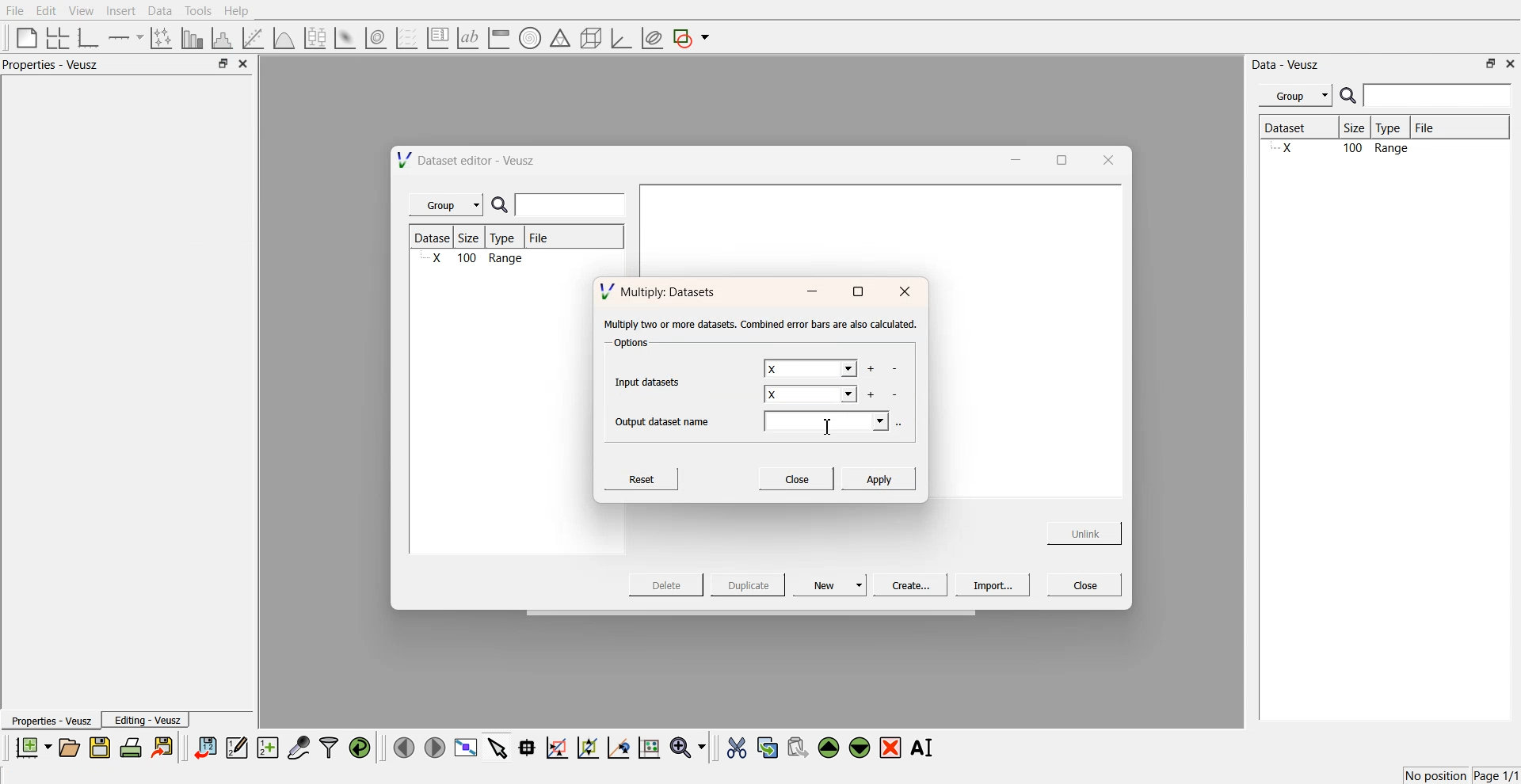 This screenshot has width=1521, height=784. What do you see at coordinates (434, 746) in the screenshot?
I see `move right` at bounding box center [434, 746].